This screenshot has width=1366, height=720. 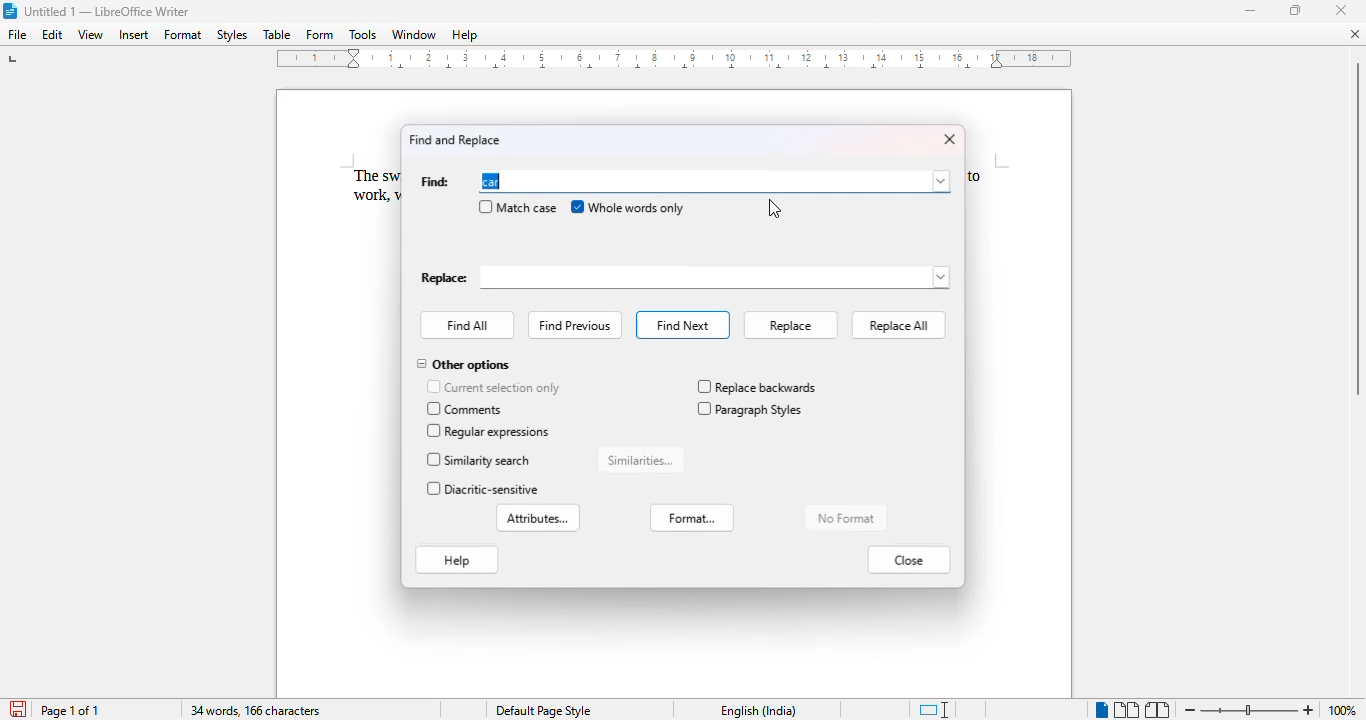 What do you see at coordinates (435, 182) in the screenshot?
I see `find: ` at bounding box center [435, 182].